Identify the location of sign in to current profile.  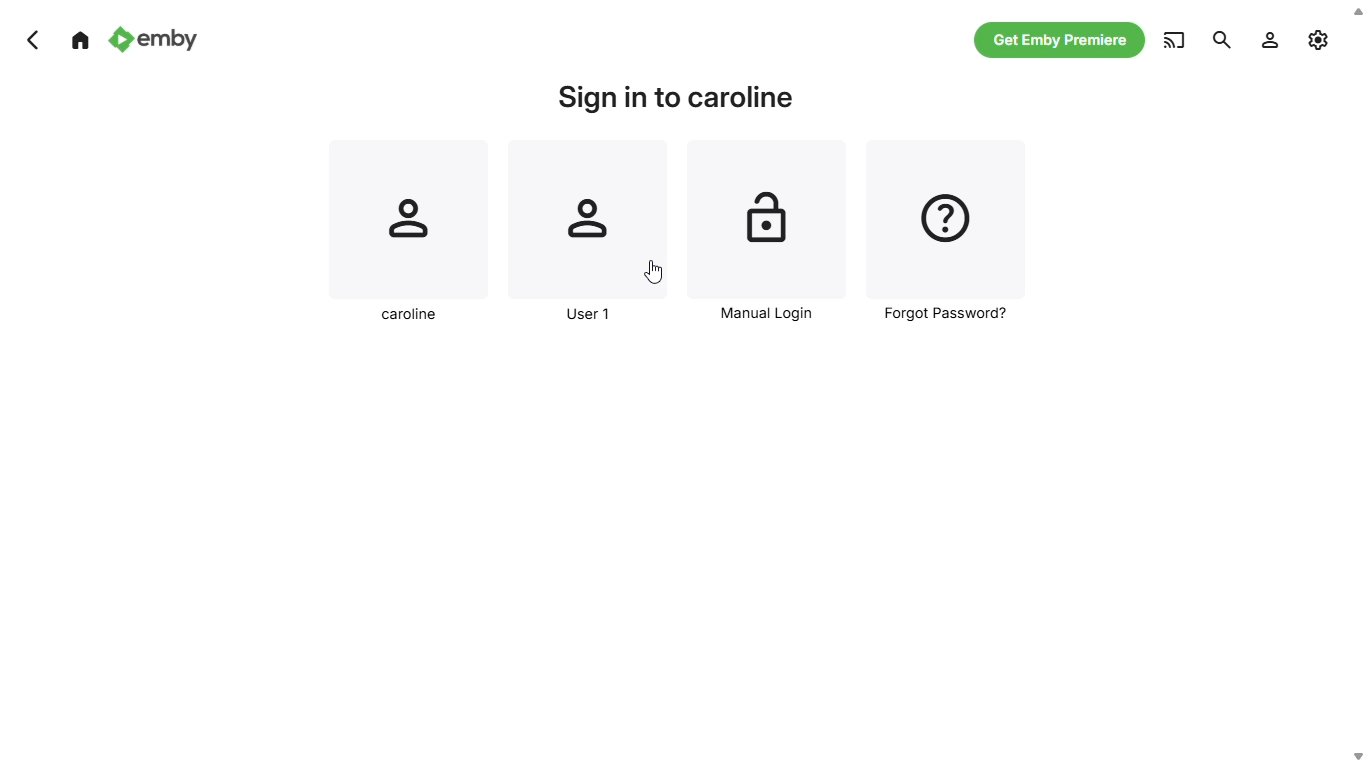
(679, 99).